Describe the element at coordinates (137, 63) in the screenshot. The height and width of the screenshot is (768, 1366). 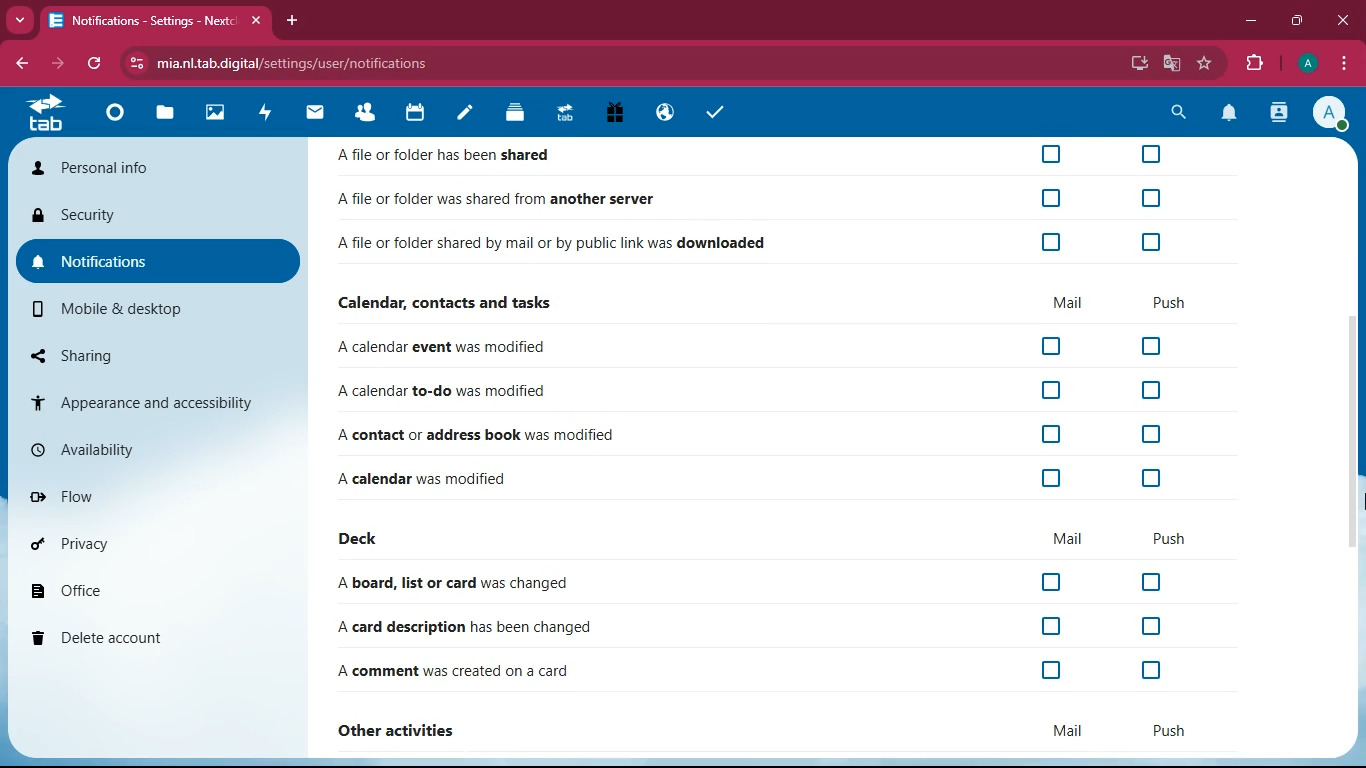
I see `View site information` at that location.